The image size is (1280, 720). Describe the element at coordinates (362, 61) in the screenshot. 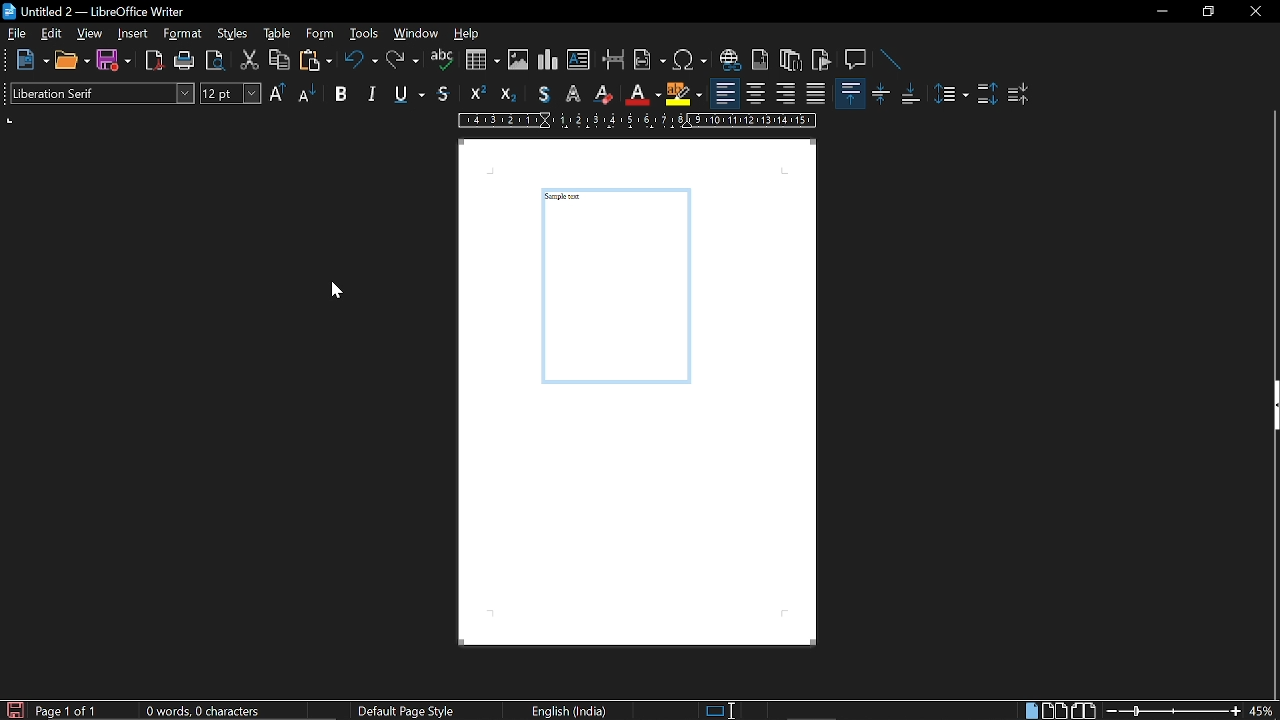

I see `undo` at that location.